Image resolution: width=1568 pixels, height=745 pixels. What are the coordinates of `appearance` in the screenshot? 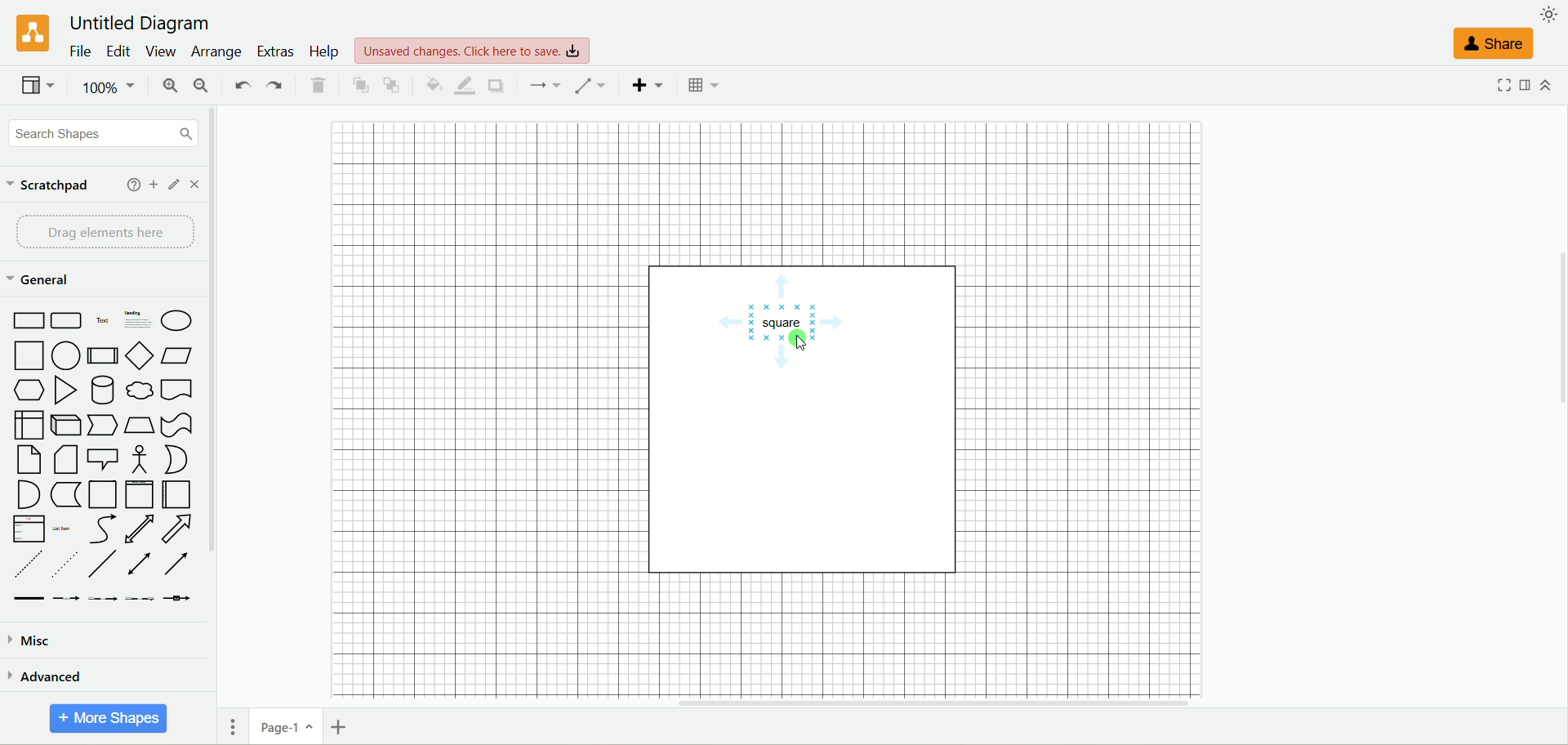 It's located at (1548, 15).